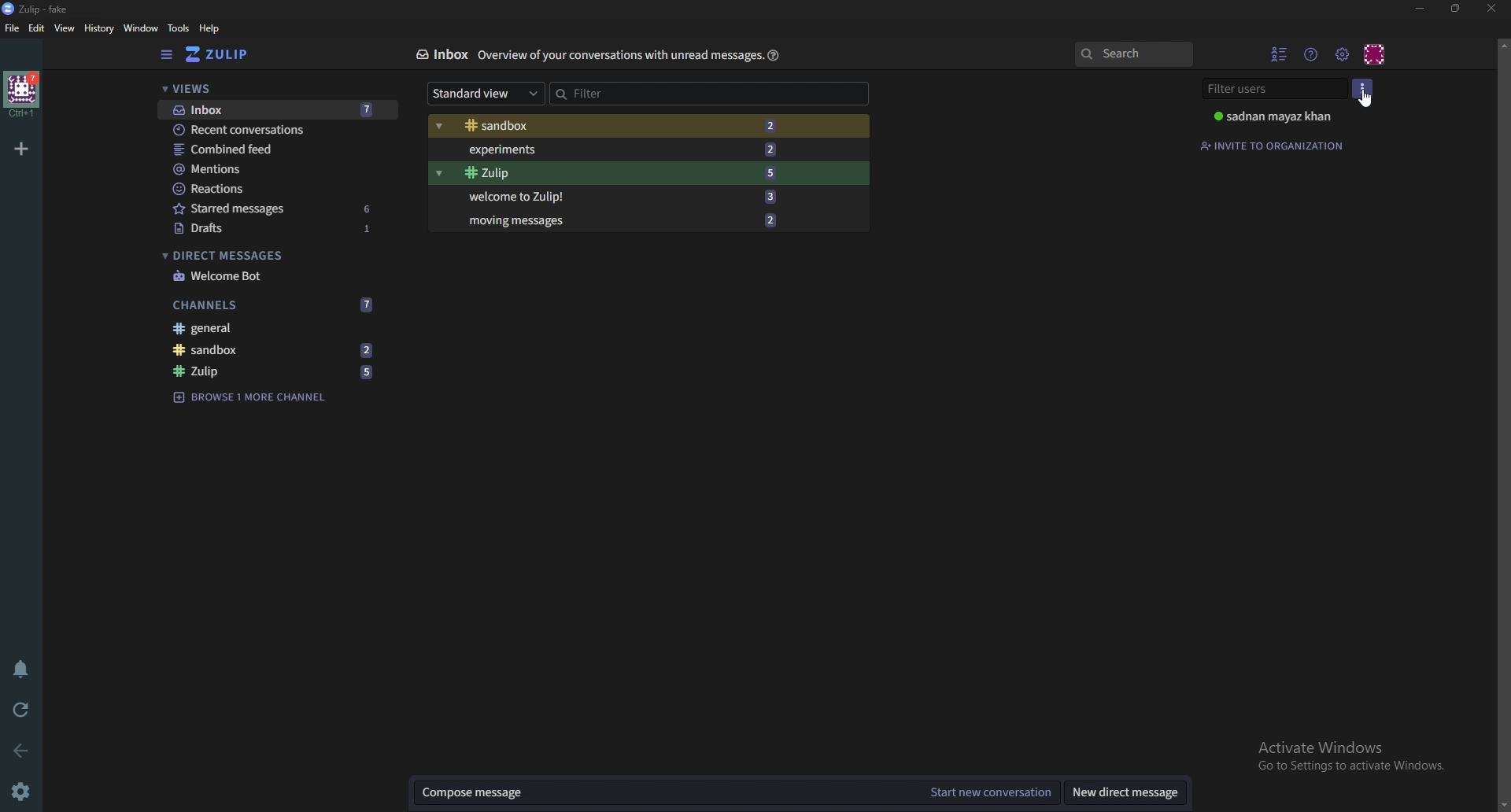 The image size is (1511, 812). Describe the element at coordinates (274, 89) in the screenshot. I see `views` at that location.